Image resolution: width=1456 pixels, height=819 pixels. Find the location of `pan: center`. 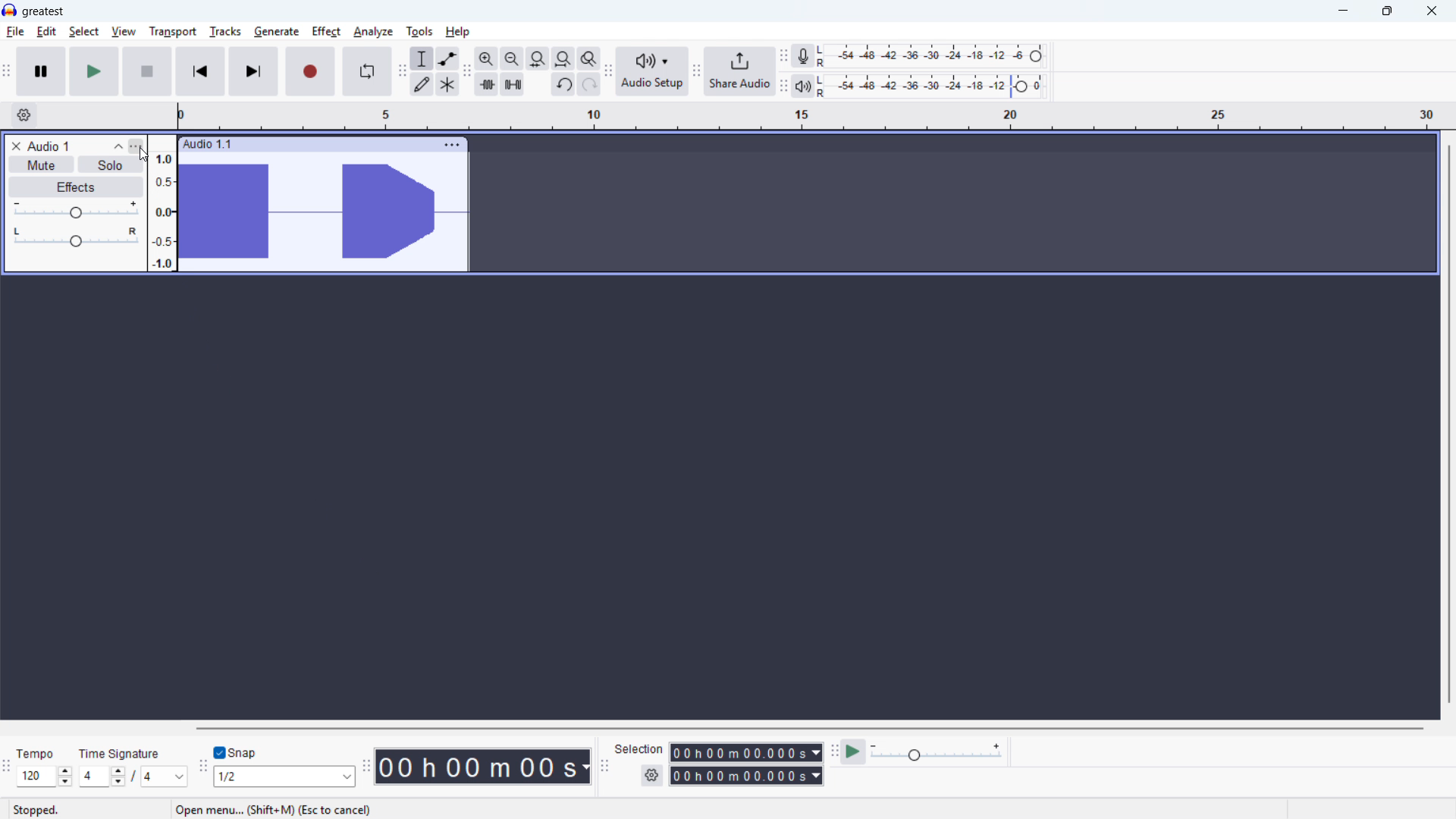

pan: center is located at coordinates (76, 238).